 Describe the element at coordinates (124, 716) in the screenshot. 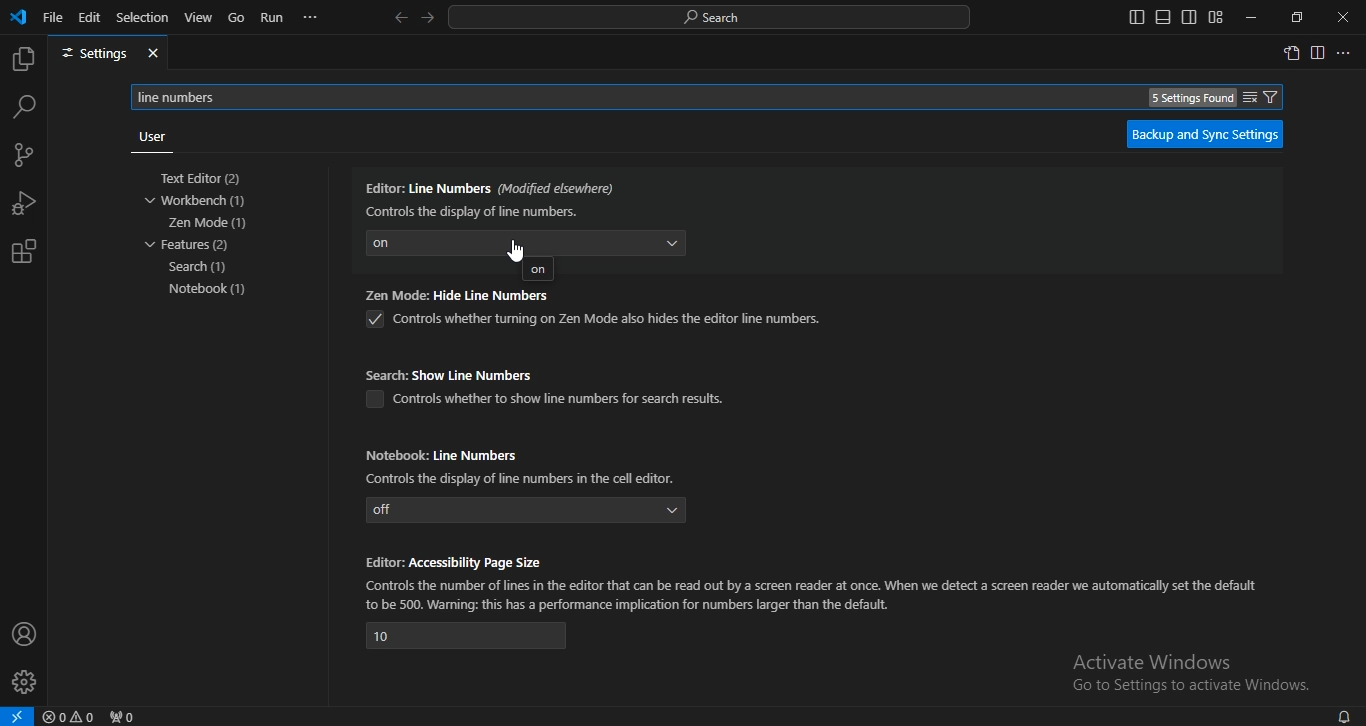

I see `no ports forwarded` at that location.